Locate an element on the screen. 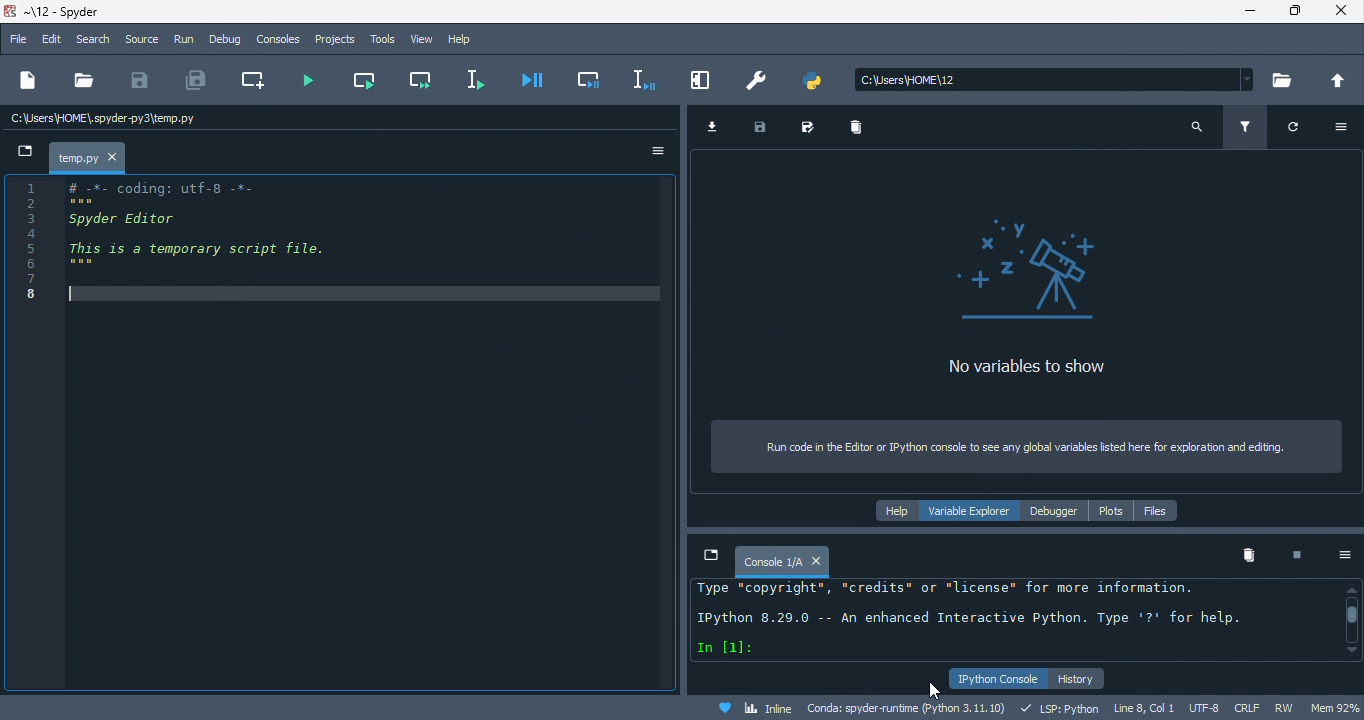 The width and height of the screenshot is (1364, 720). option is located at coordinates (1347, 129).